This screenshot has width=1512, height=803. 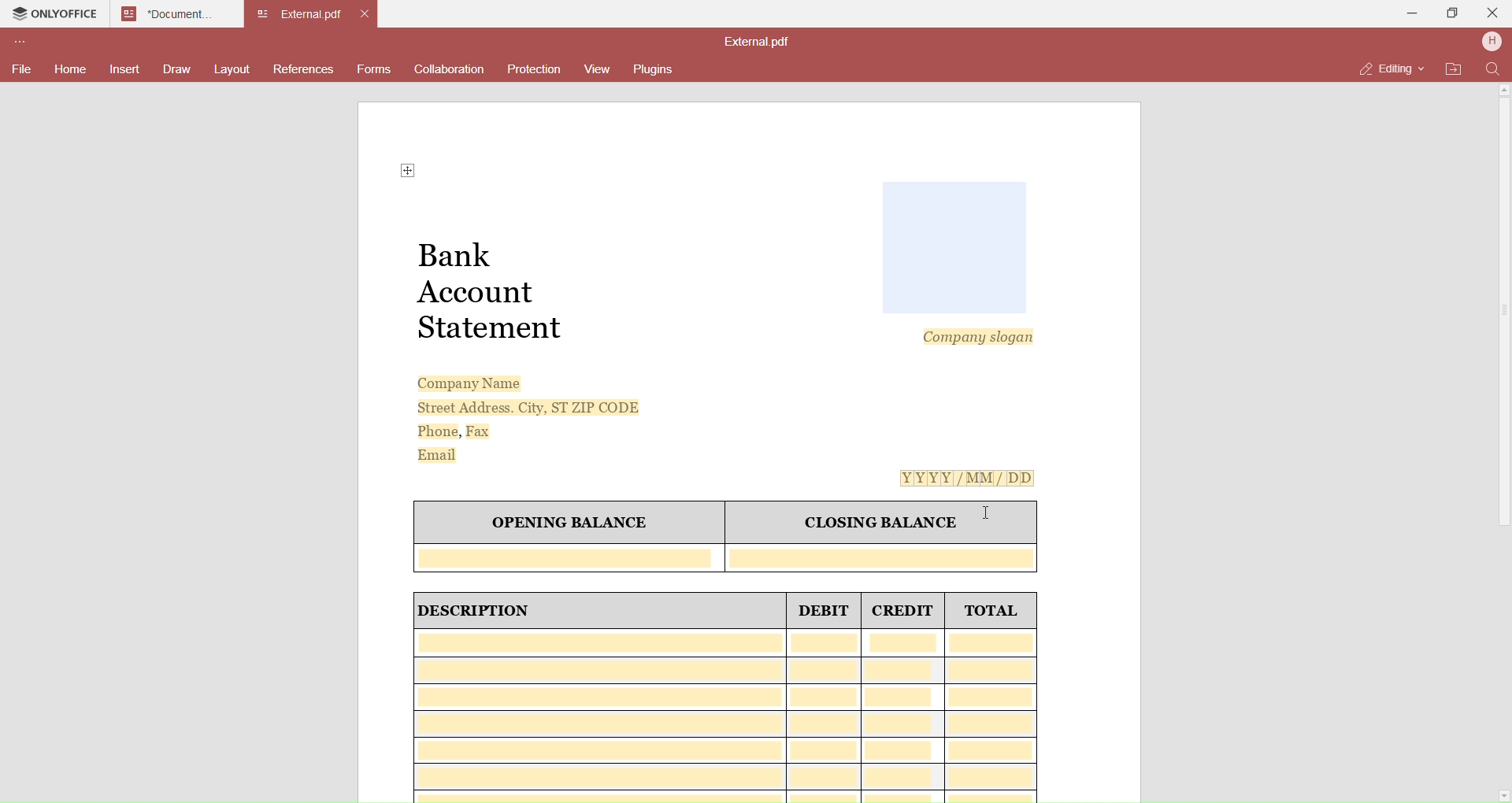 I want to click on | OPENING BALANCE, so click(x=566, y=523).